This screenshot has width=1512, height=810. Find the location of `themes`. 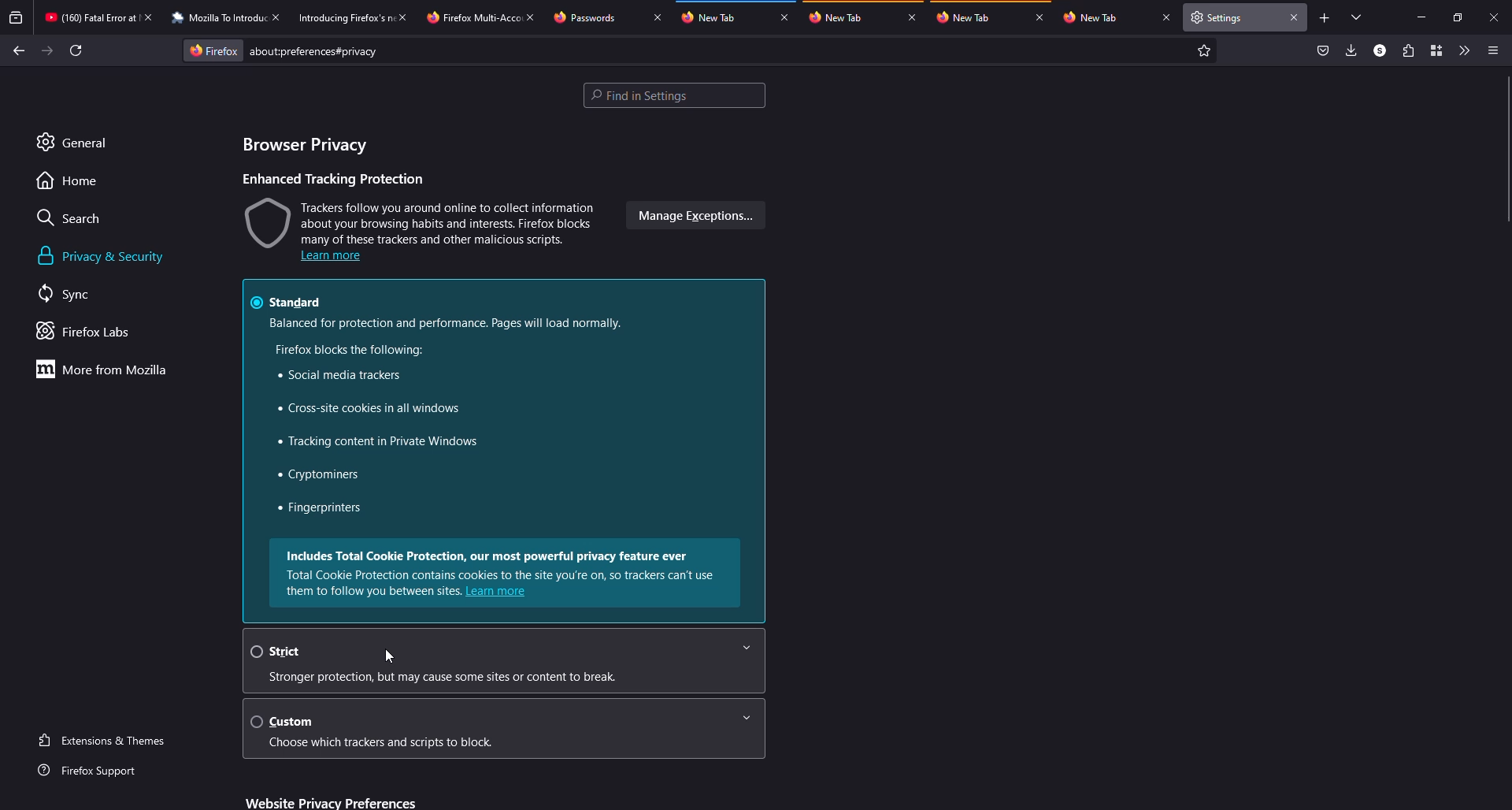

themes is located at coordinates (106, 741).